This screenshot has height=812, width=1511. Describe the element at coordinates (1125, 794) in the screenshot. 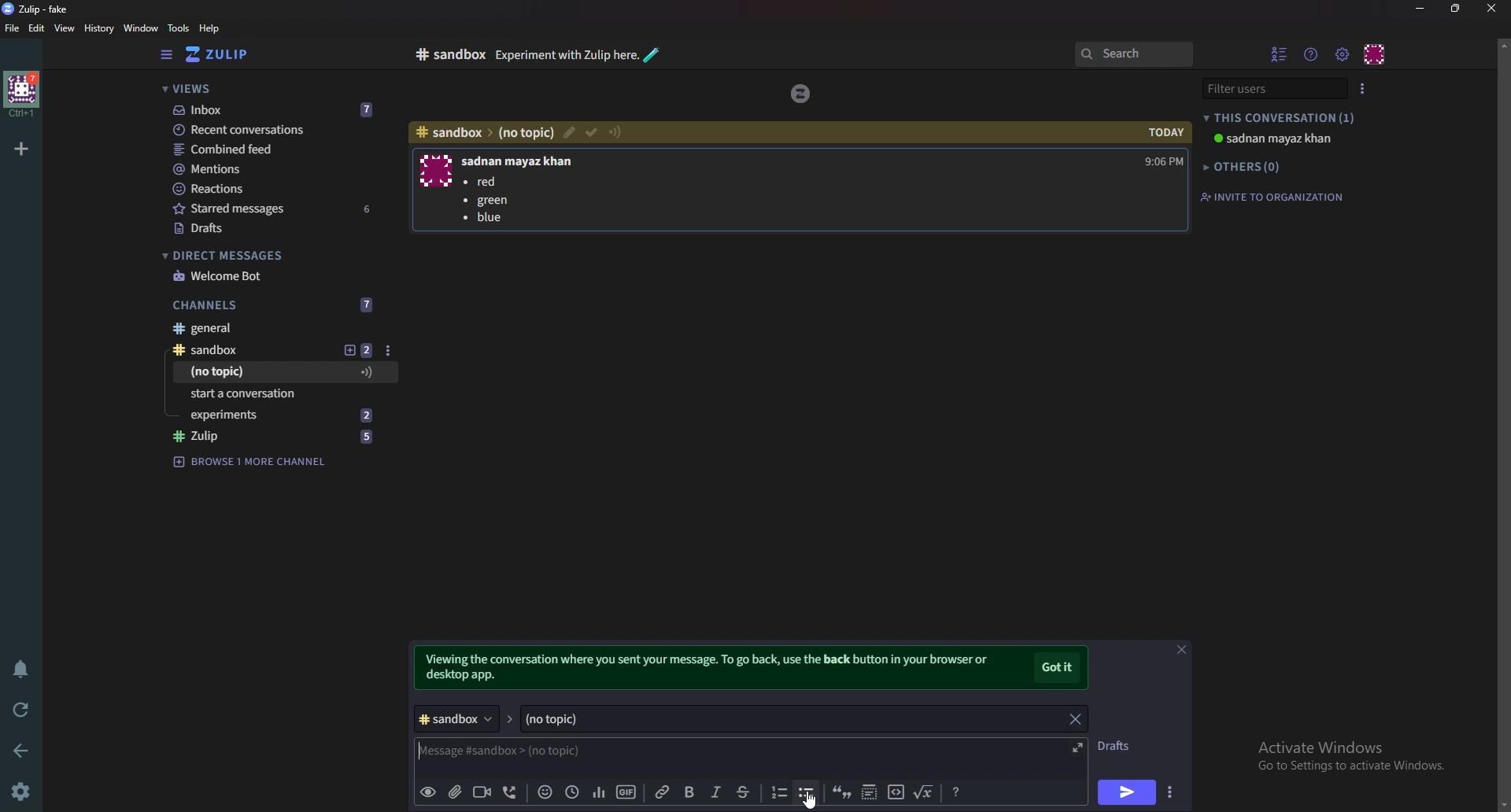

I see `send` at that location.